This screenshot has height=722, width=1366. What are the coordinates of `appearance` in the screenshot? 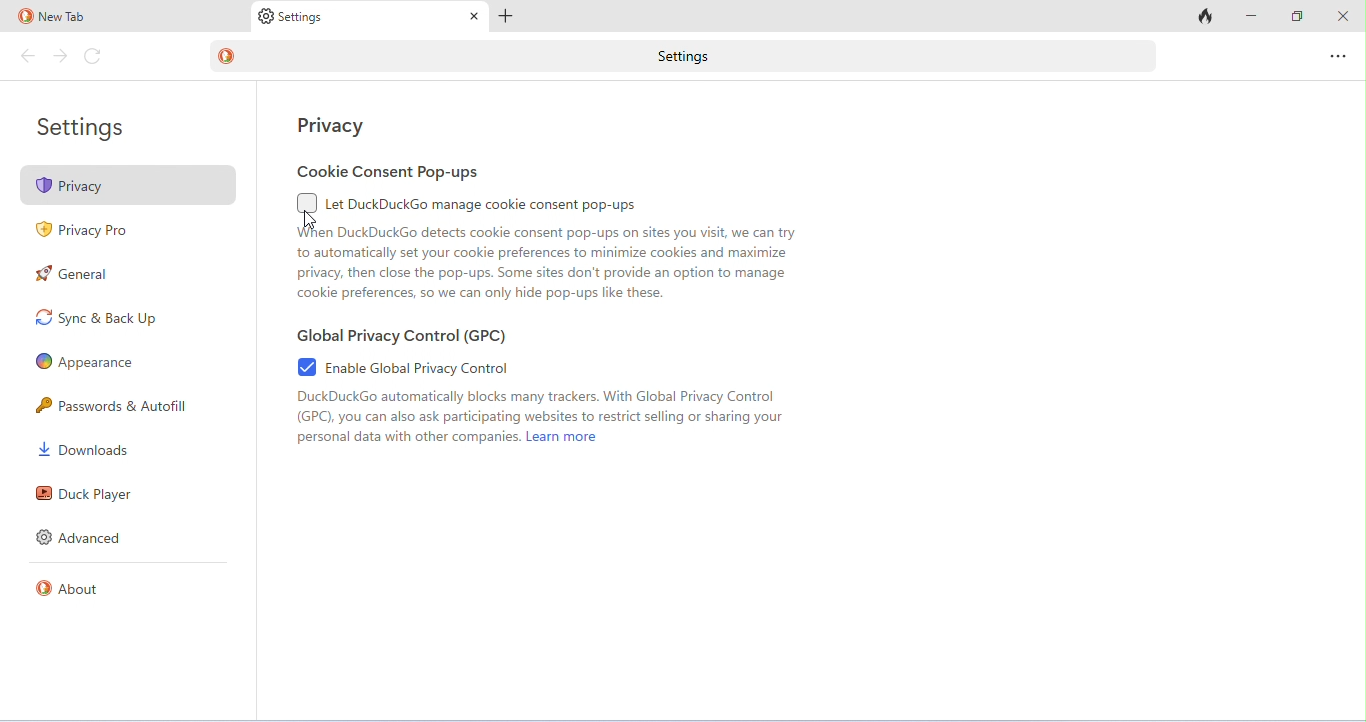 It's located at (85, 363).